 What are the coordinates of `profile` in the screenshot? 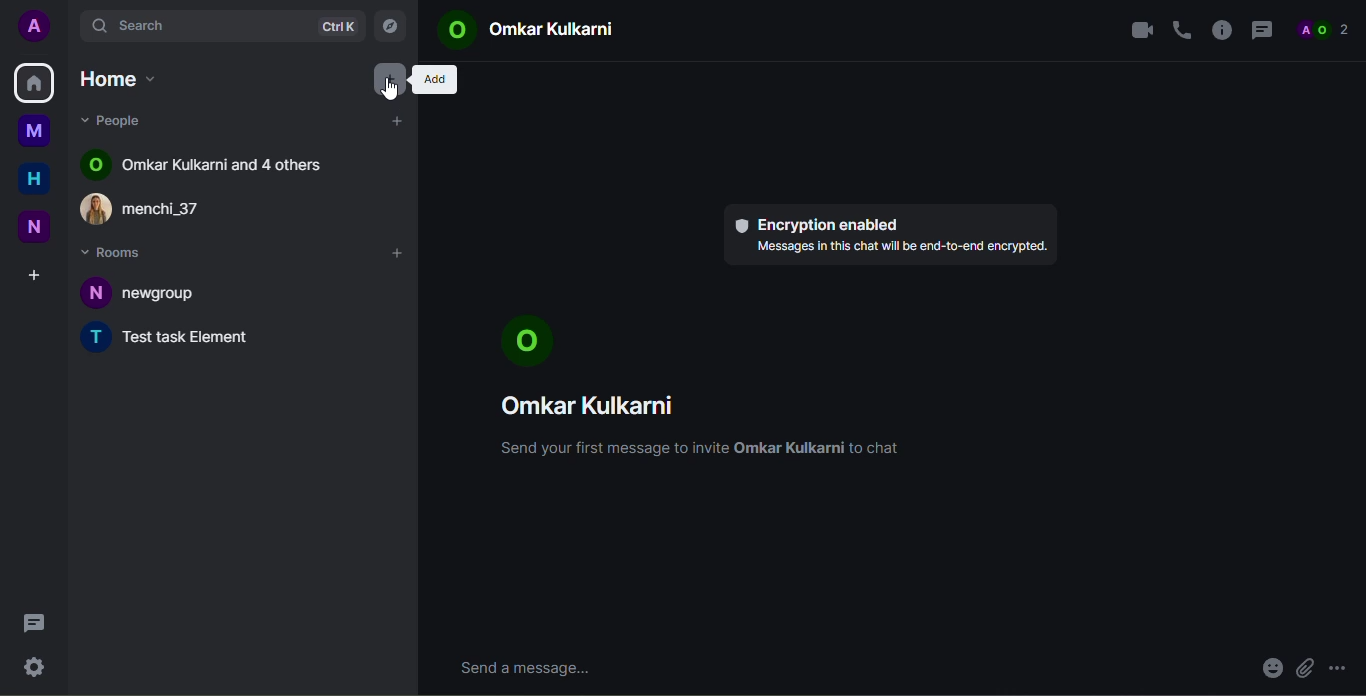 It's located at (37, 25).